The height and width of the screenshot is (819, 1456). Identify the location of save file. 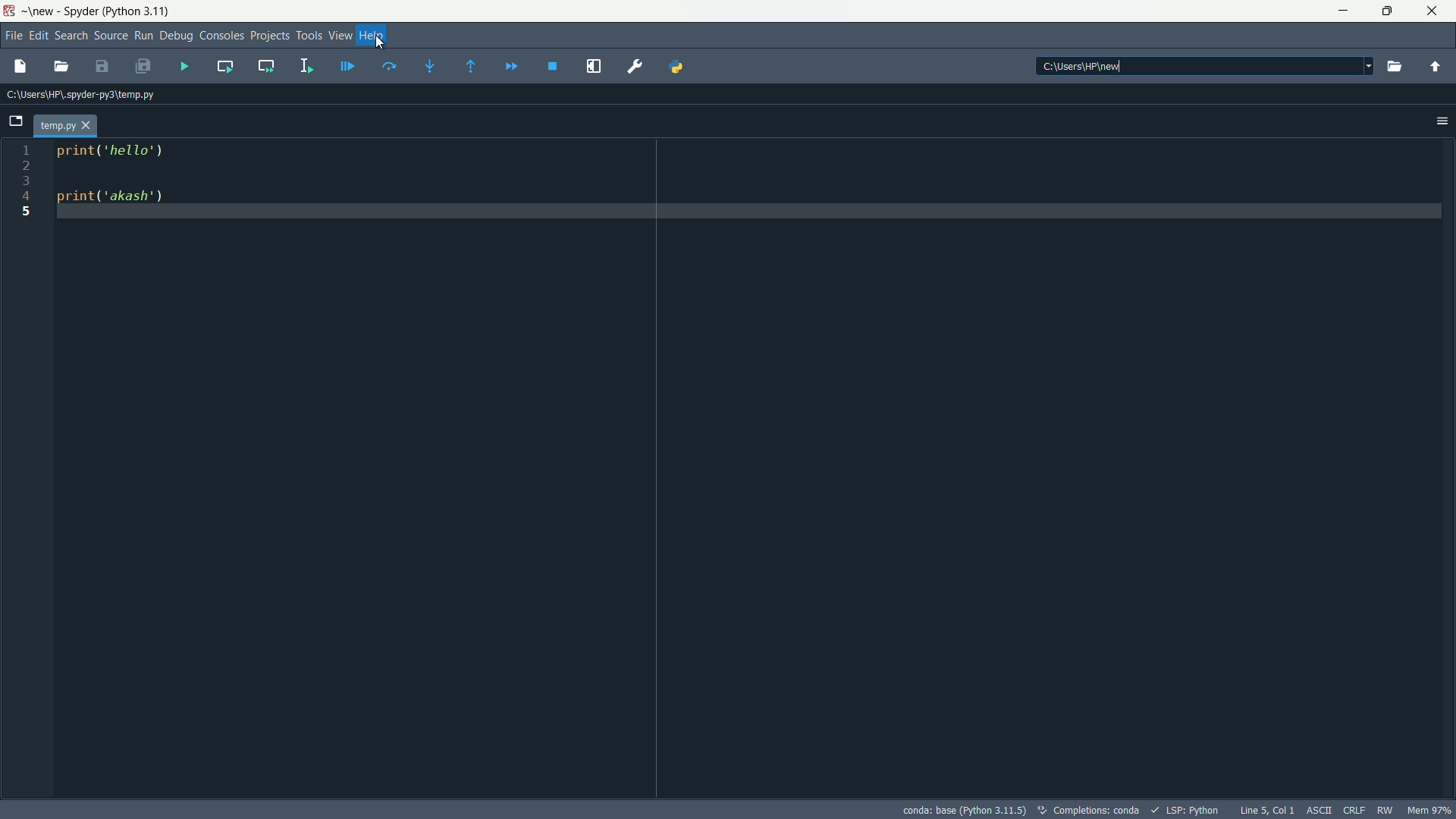
(100, 67).